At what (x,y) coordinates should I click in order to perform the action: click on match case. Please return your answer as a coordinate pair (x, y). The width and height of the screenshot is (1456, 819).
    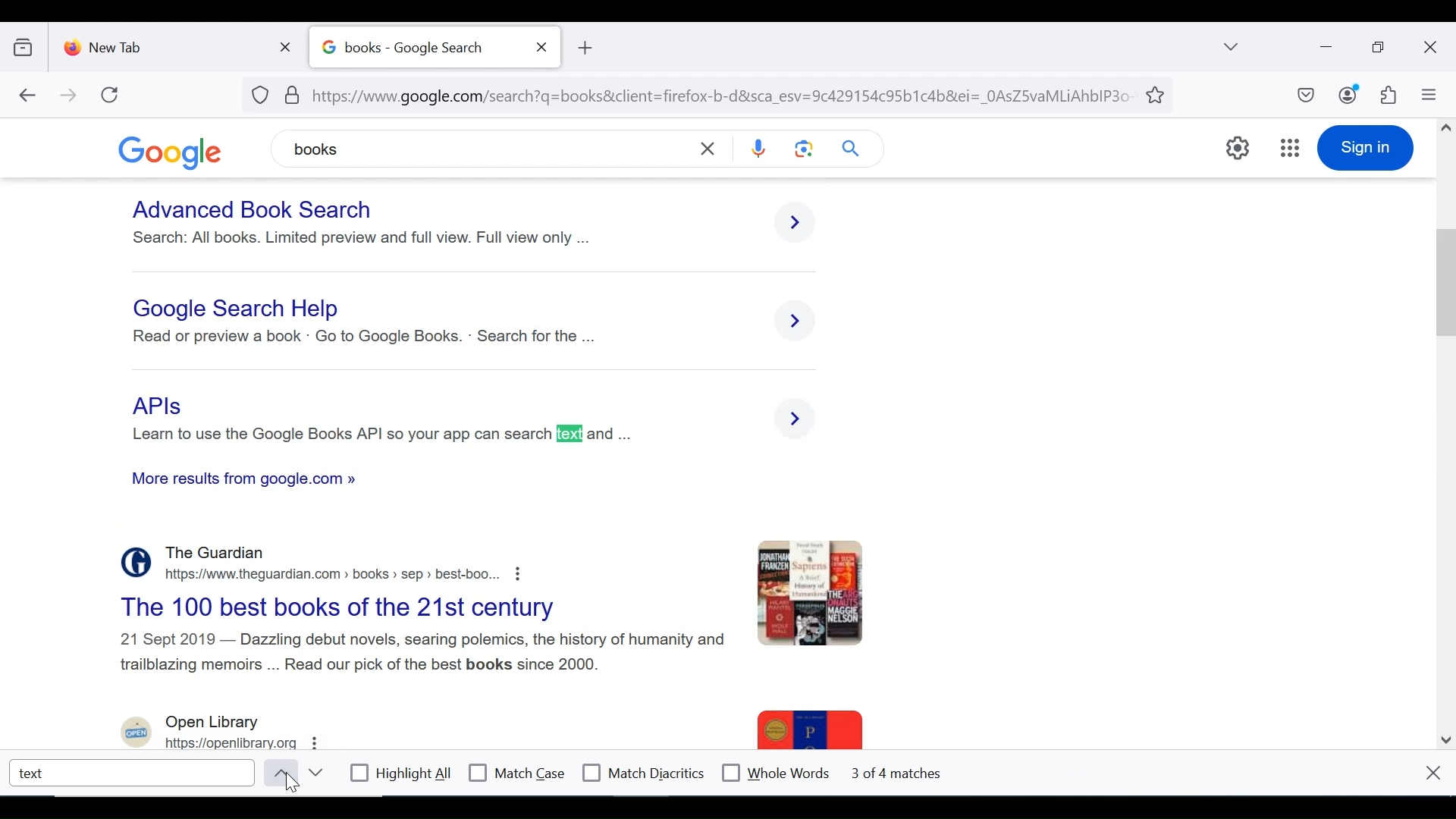
    Looking at the image, I should click on (518, 773).